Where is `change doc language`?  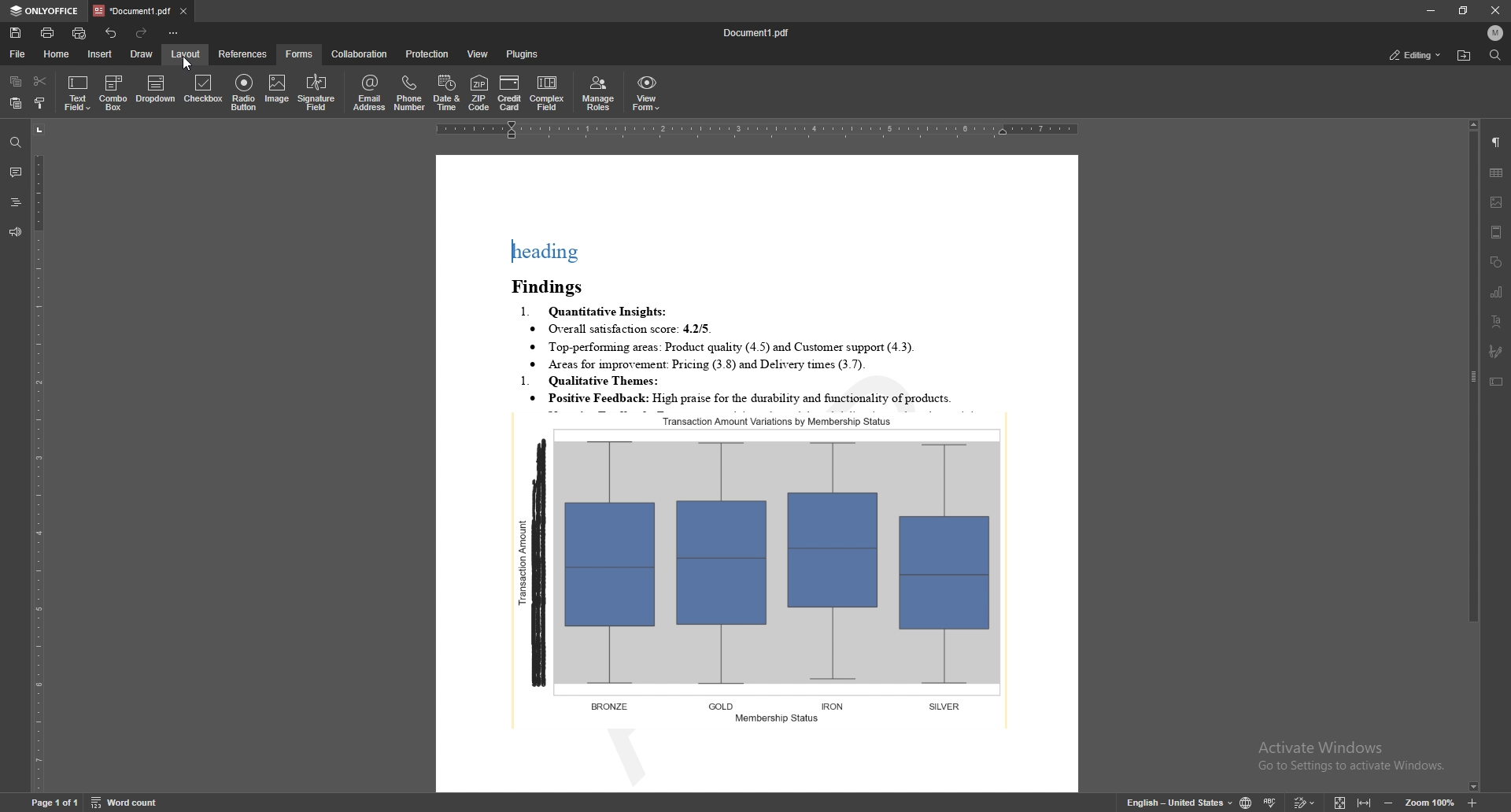 change doc language is located at coordinates (1247, 801).